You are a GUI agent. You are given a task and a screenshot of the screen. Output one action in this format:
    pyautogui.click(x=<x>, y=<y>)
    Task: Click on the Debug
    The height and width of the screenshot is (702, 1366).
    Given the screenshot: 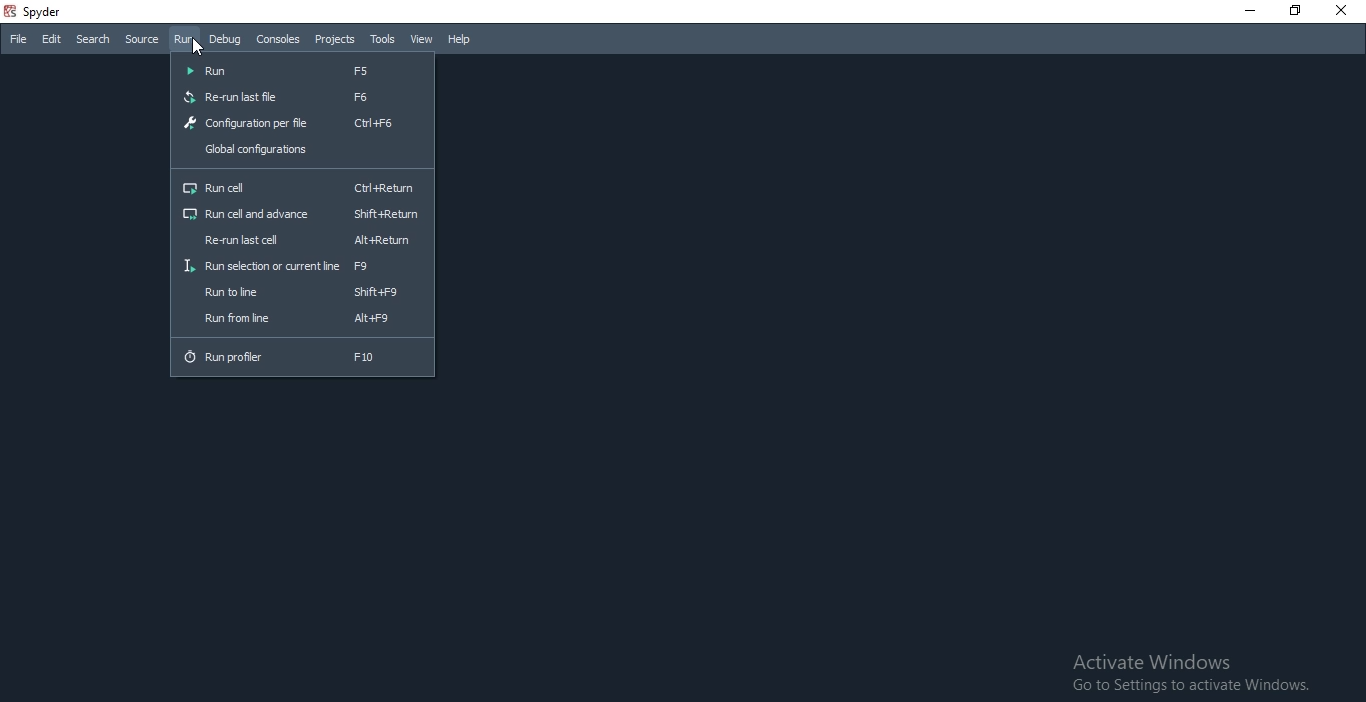 What is the action you would take?
    pyautogui.click(x=223, y=37)
    